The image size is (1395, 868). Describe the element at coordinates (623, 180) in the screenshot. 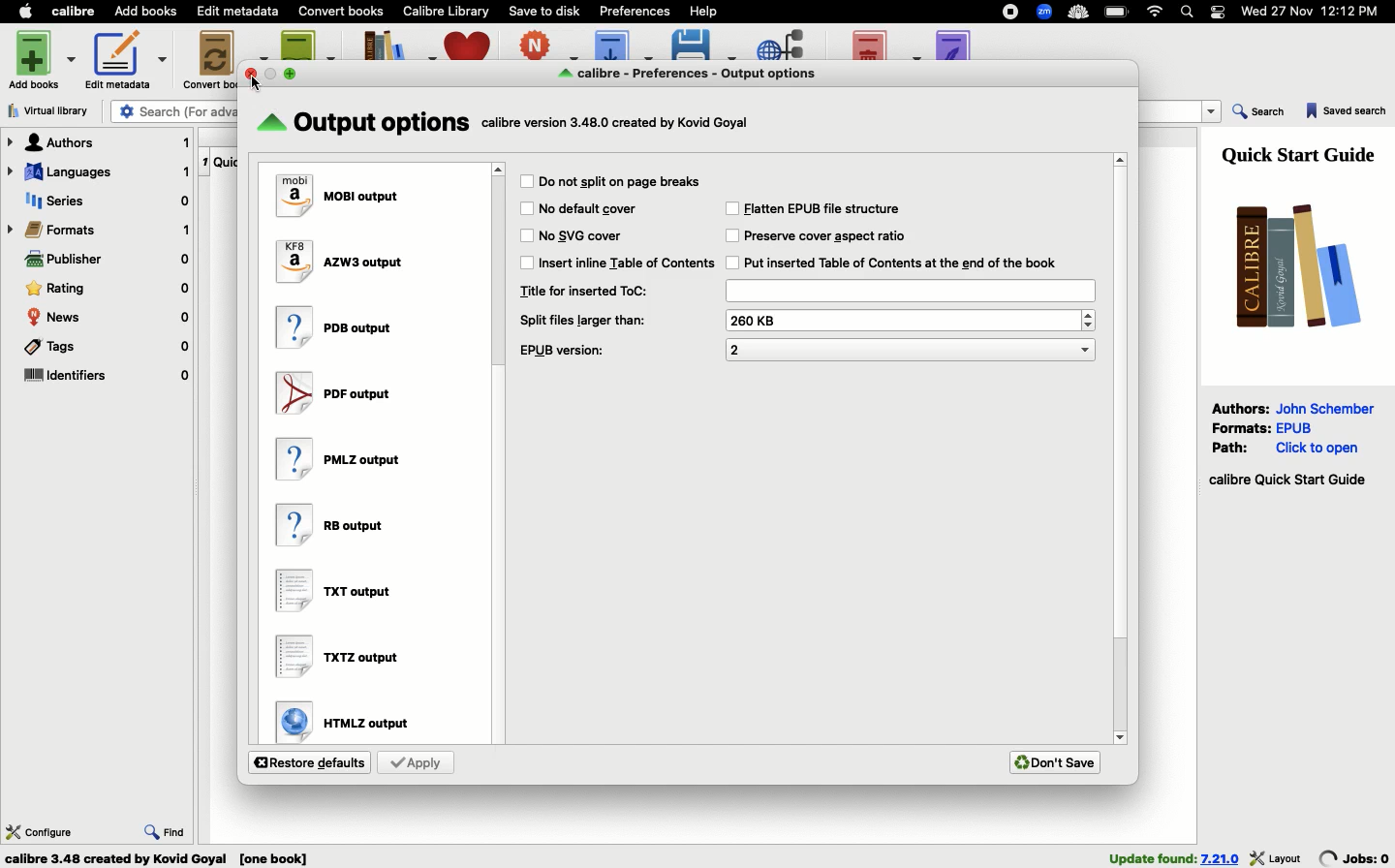

I see `Do not split or place breaks` at that location.